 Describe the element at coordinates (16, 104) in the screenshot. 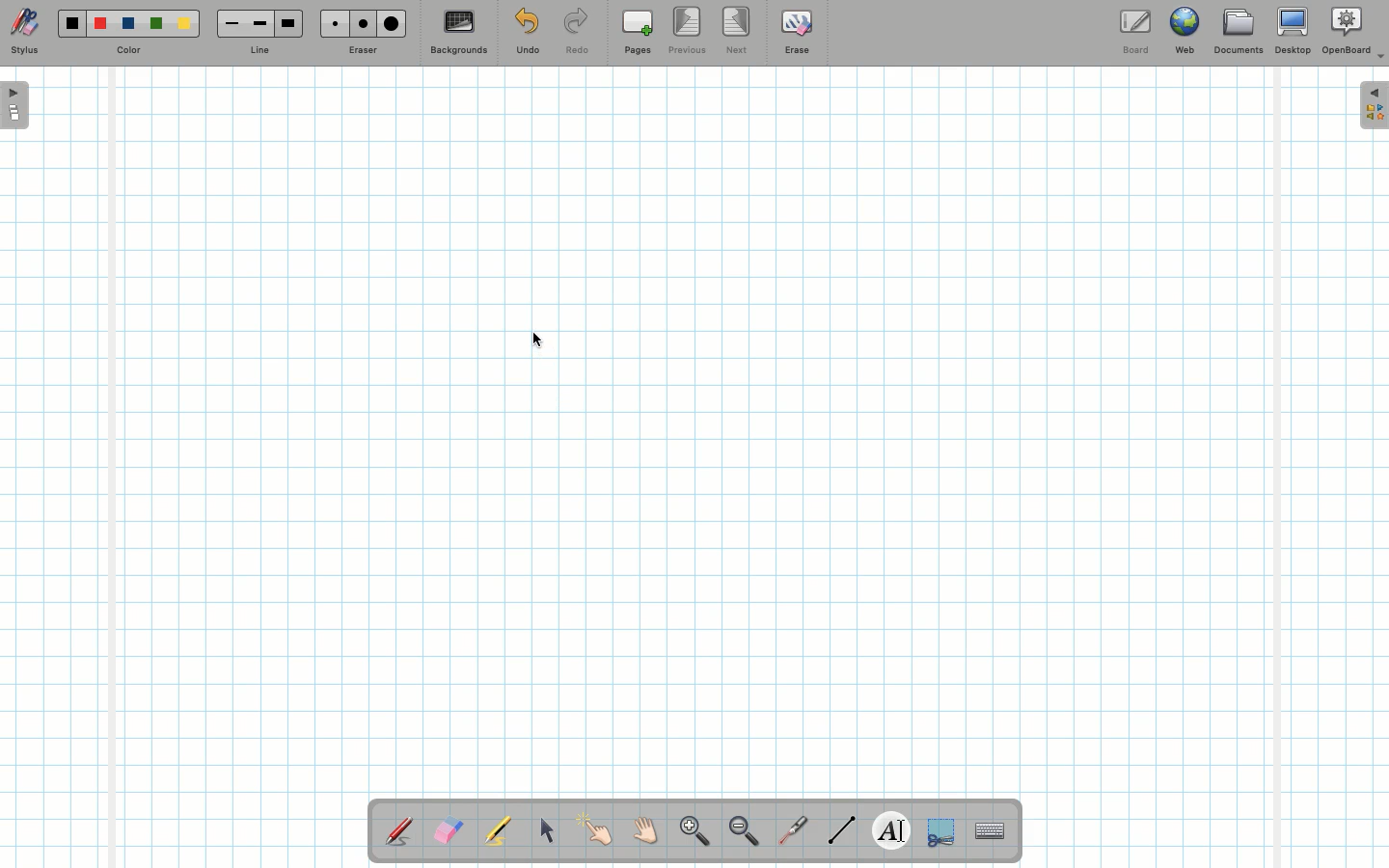

I see `Open pages` at that location.